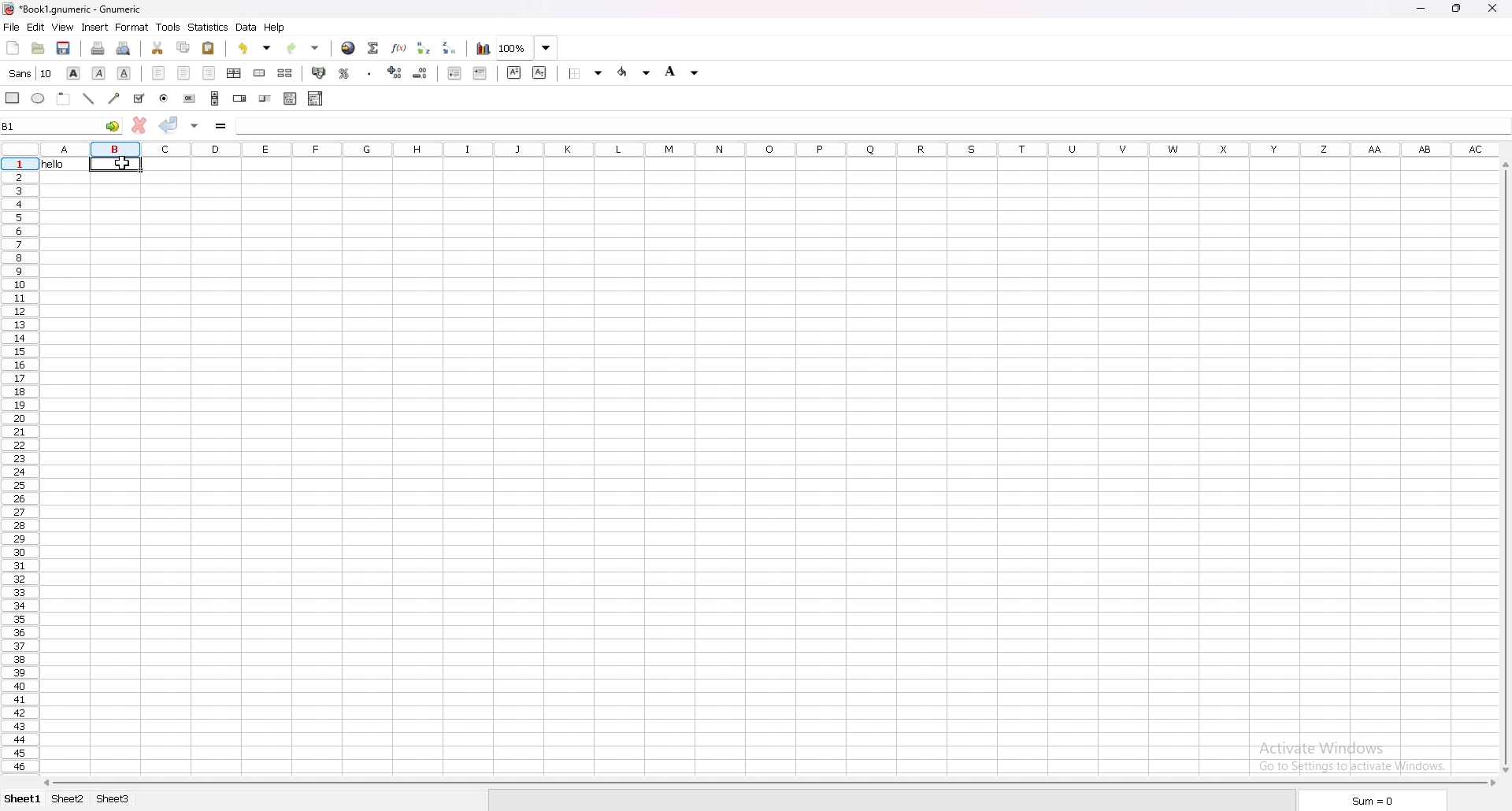  What do you see at coordinates (89, 98) in the screenshot?
I see `line` at bounding box center [89, 98].